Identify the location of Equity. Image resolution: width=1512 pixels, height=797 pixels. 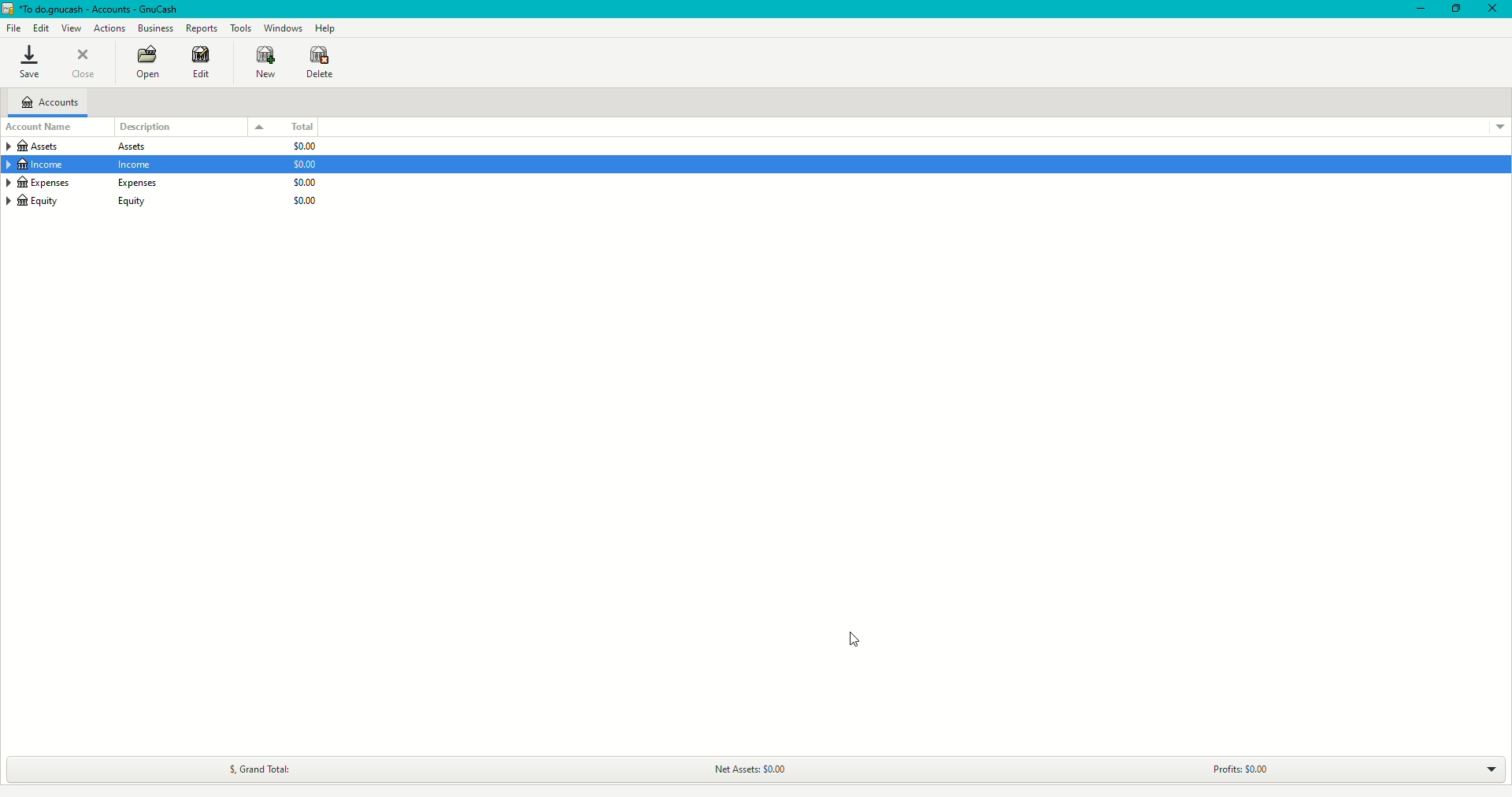
(80, 202).